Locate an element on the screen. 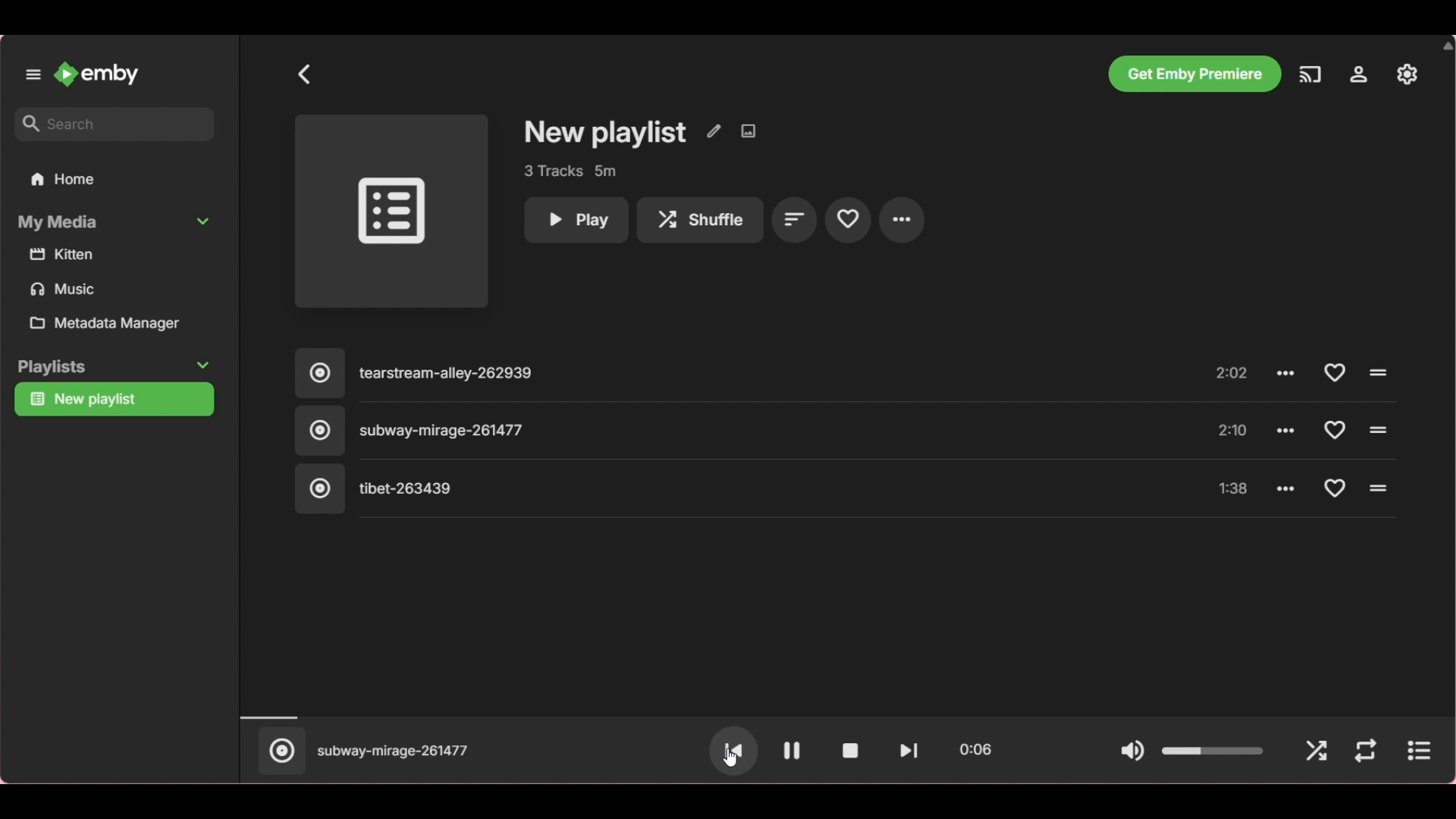  More is located at coordinates (902, 220).